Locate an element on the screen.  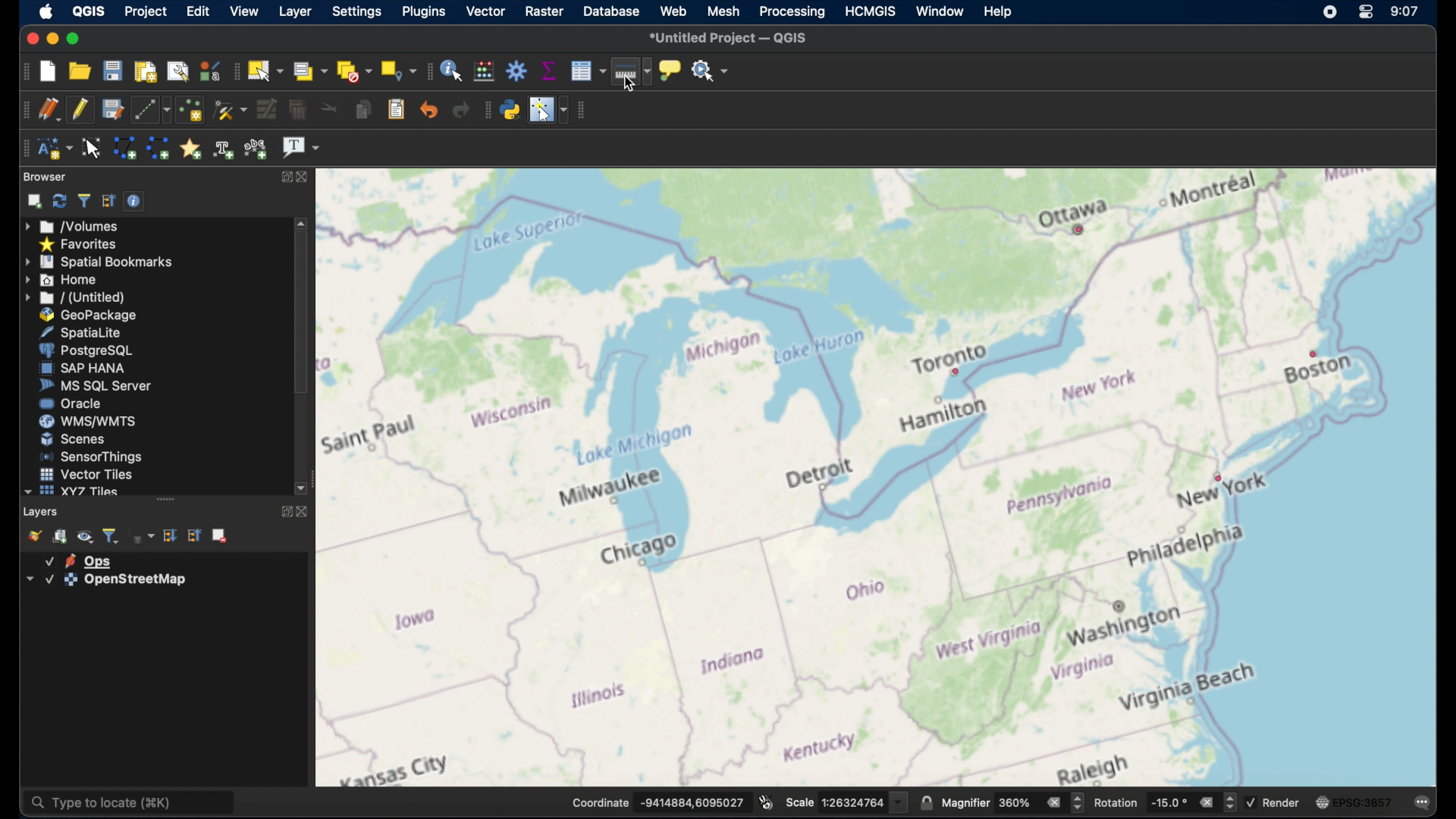
select features by area or single click is located at coordinates (268, 70).